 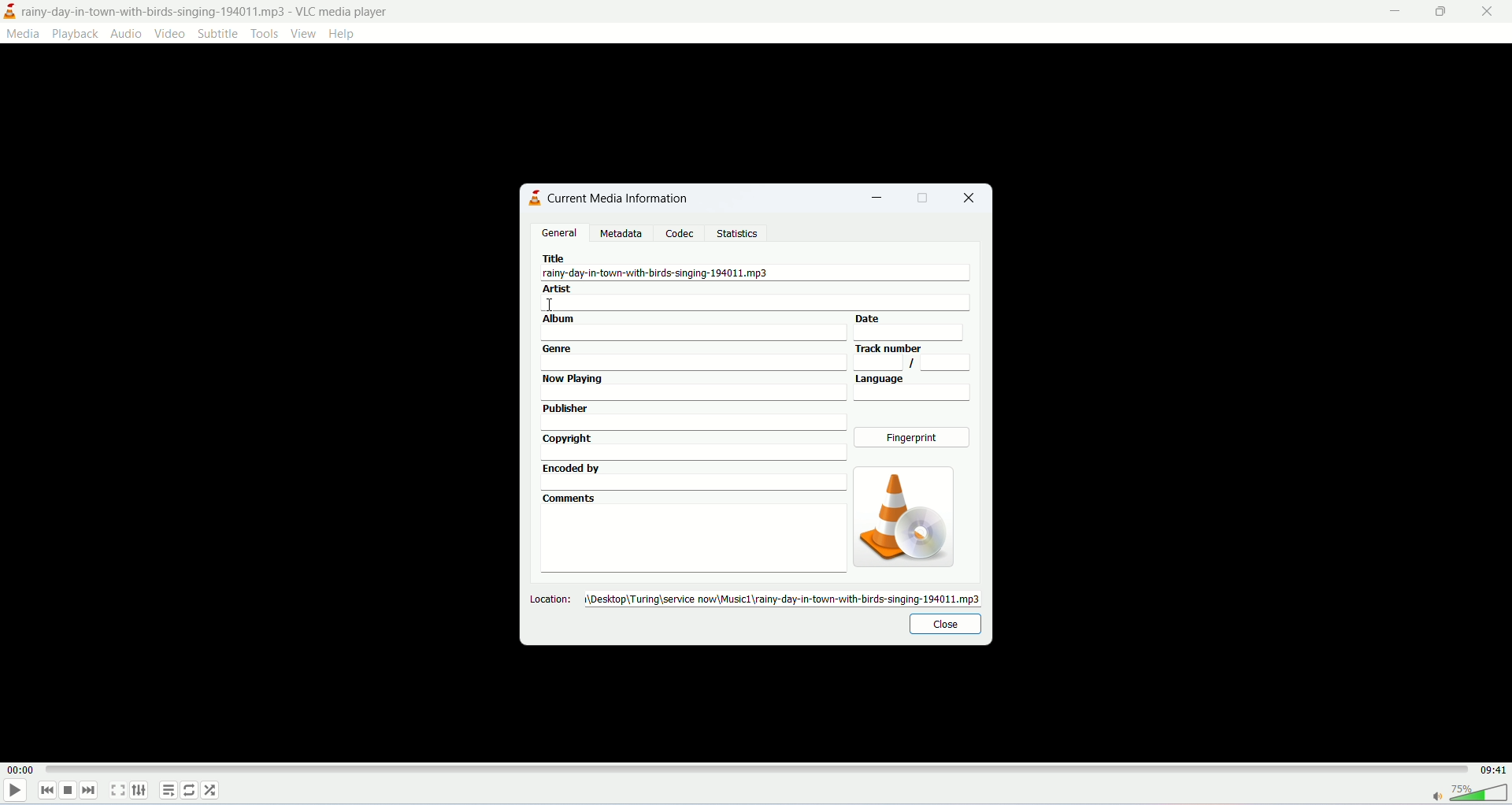 I want to click on extended settings, so click(x=145, y=789).